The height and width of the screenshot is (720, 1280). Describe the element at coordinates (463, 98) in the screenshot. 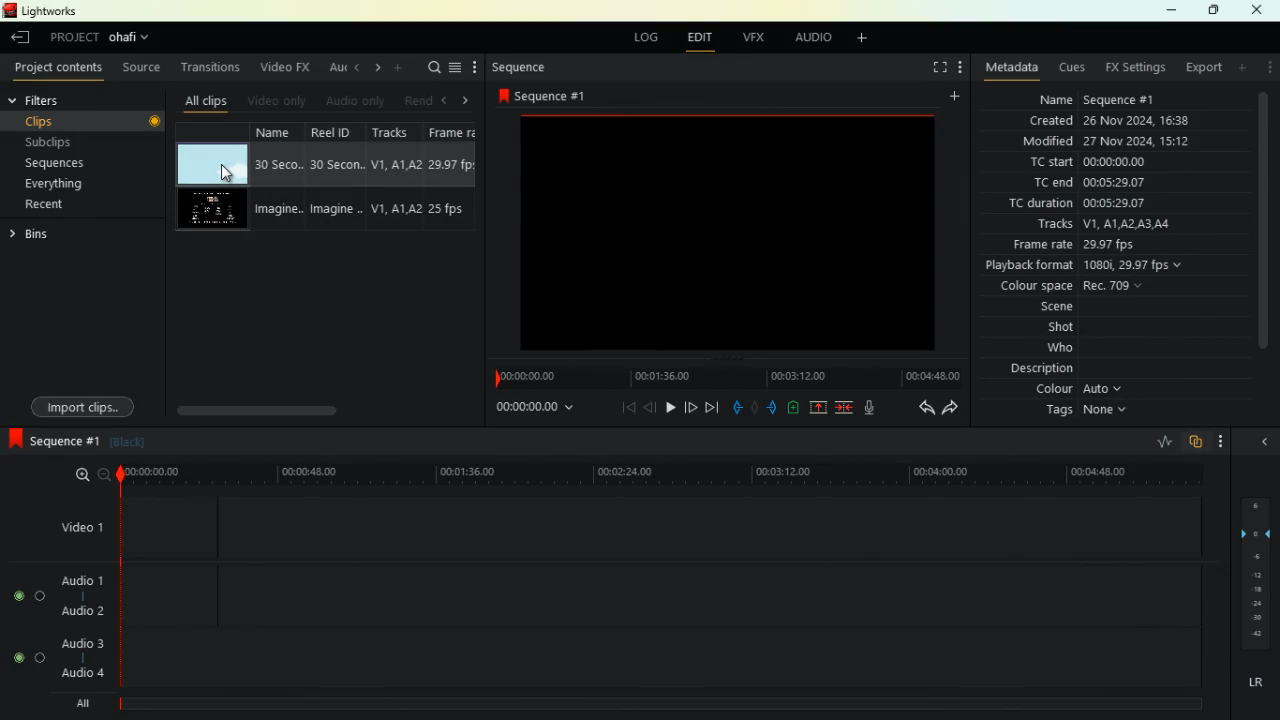

I see `right` at that location.